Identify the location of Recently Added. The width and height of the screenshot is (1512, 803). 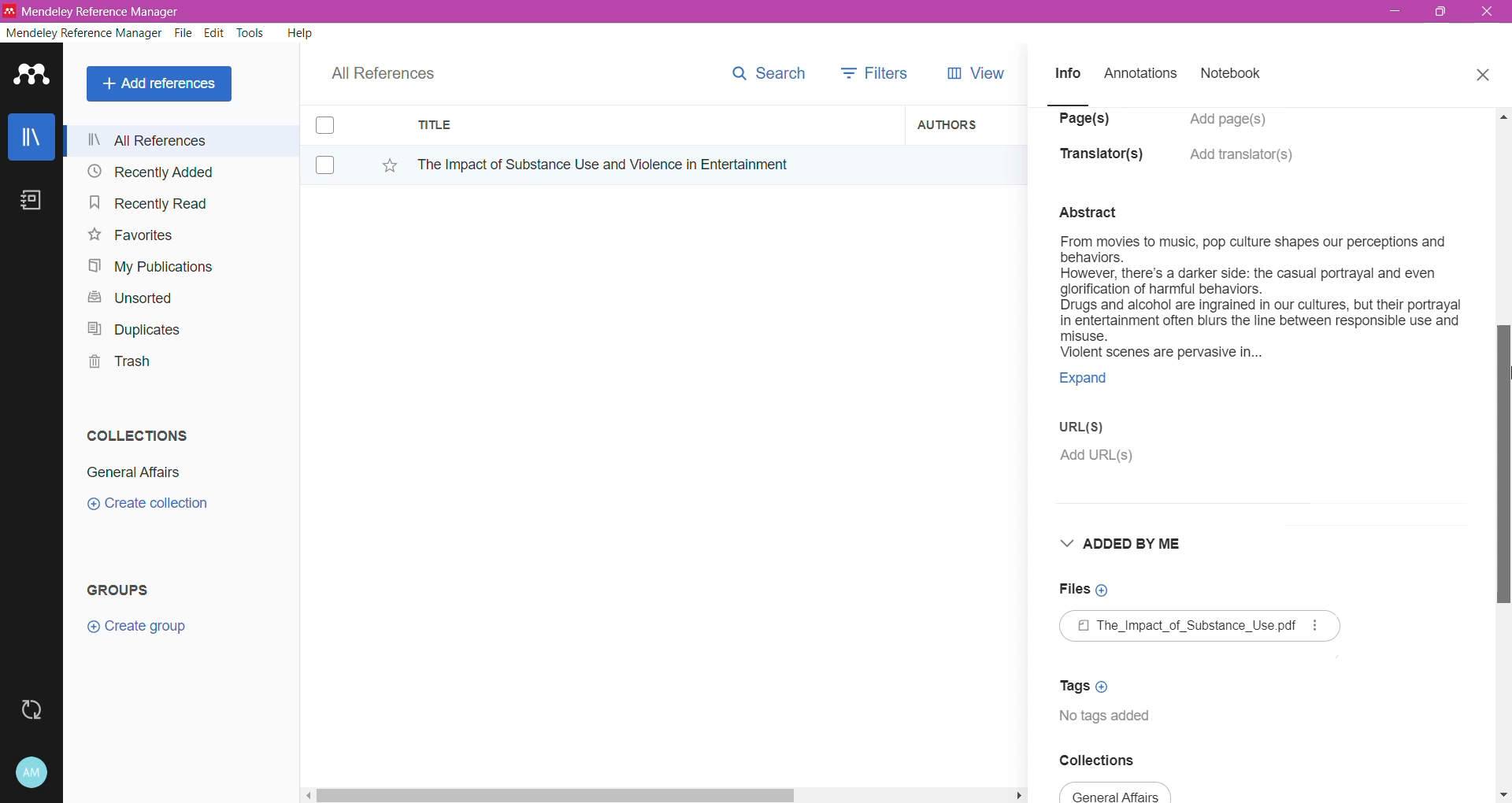
(148, 172).